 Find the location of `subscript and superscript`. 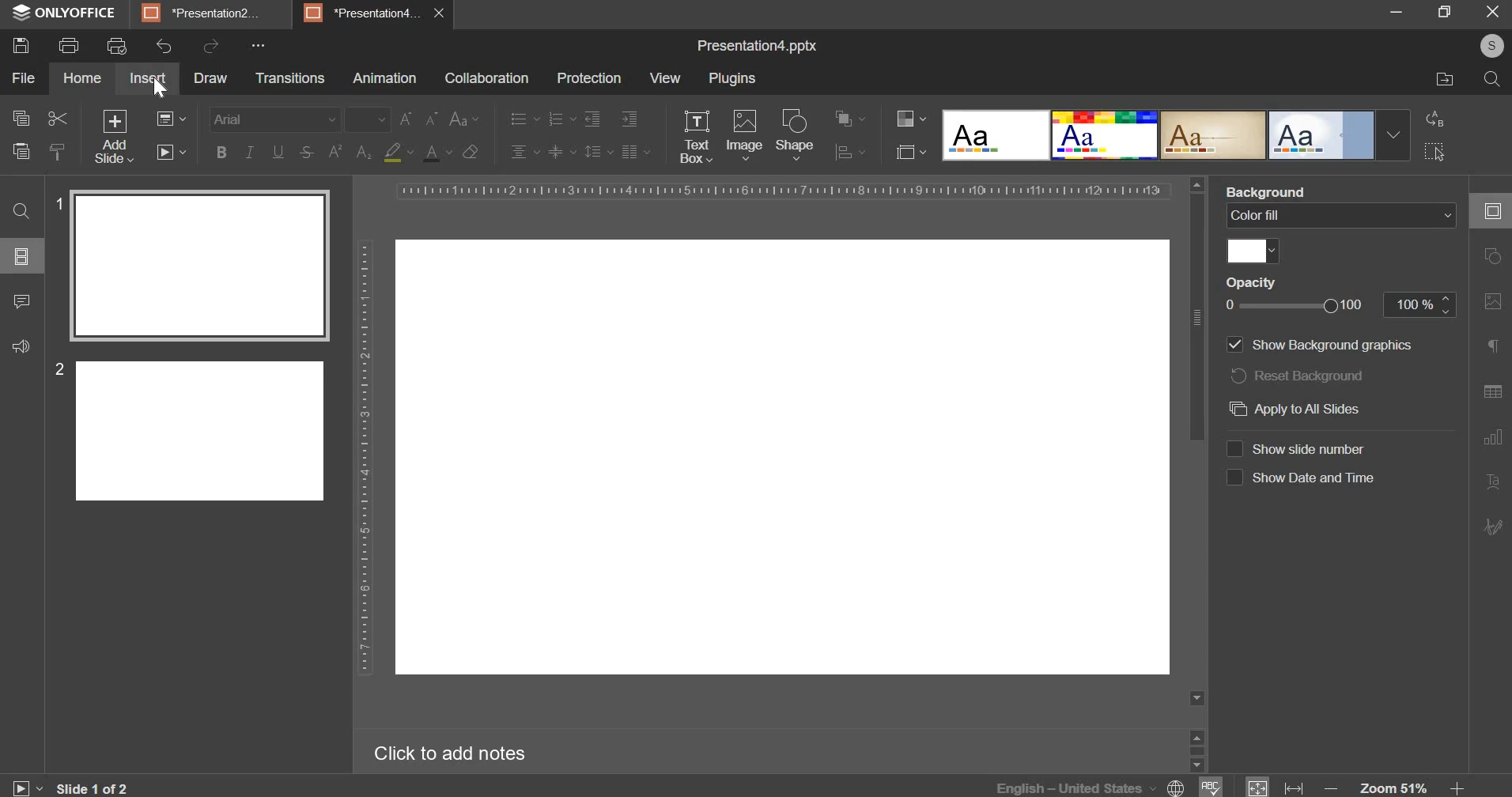

subscript and superscript is located at coordinates (350, 152).